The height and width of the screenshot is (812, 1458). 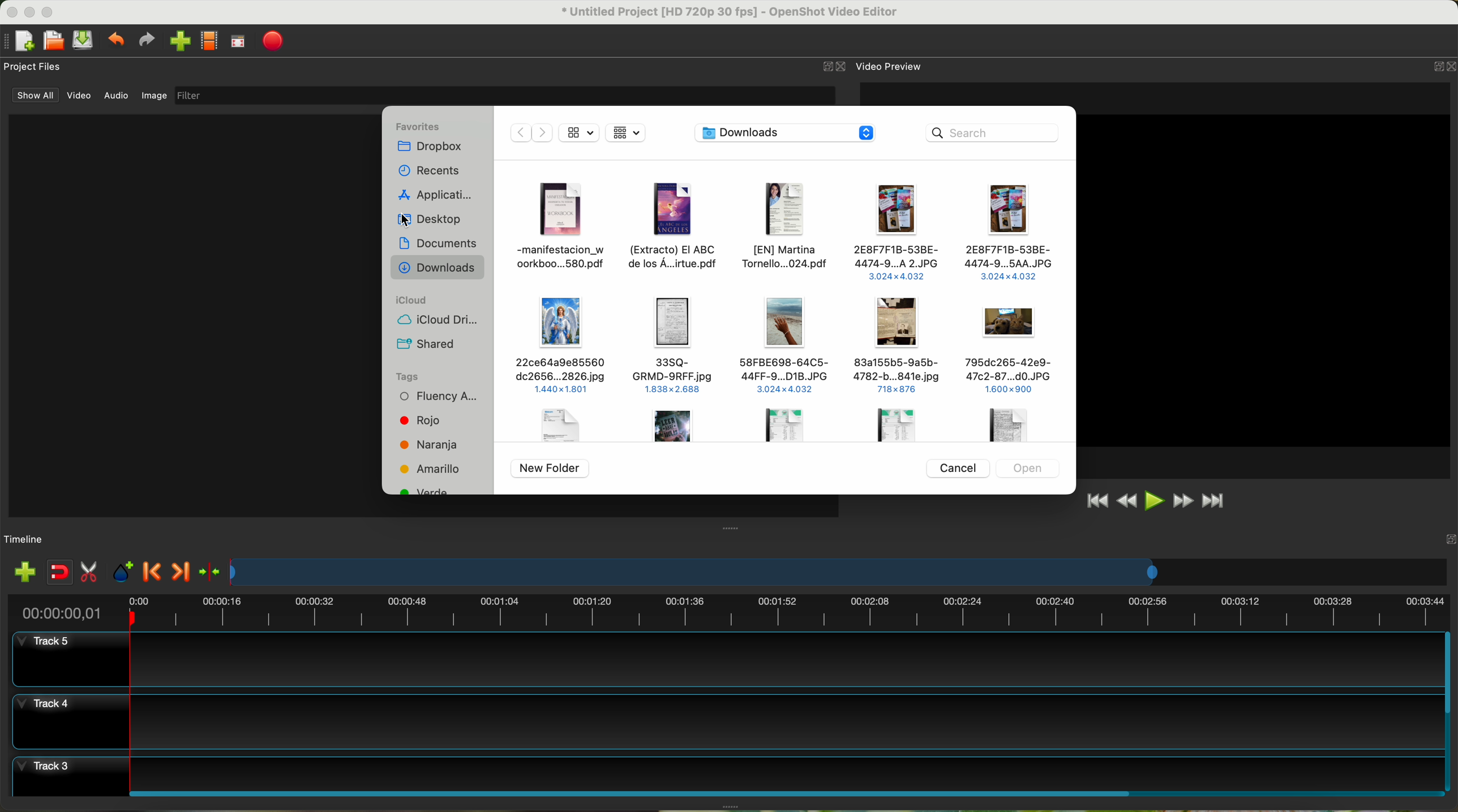 I want to click on favorites, so click(x=419, y=126).